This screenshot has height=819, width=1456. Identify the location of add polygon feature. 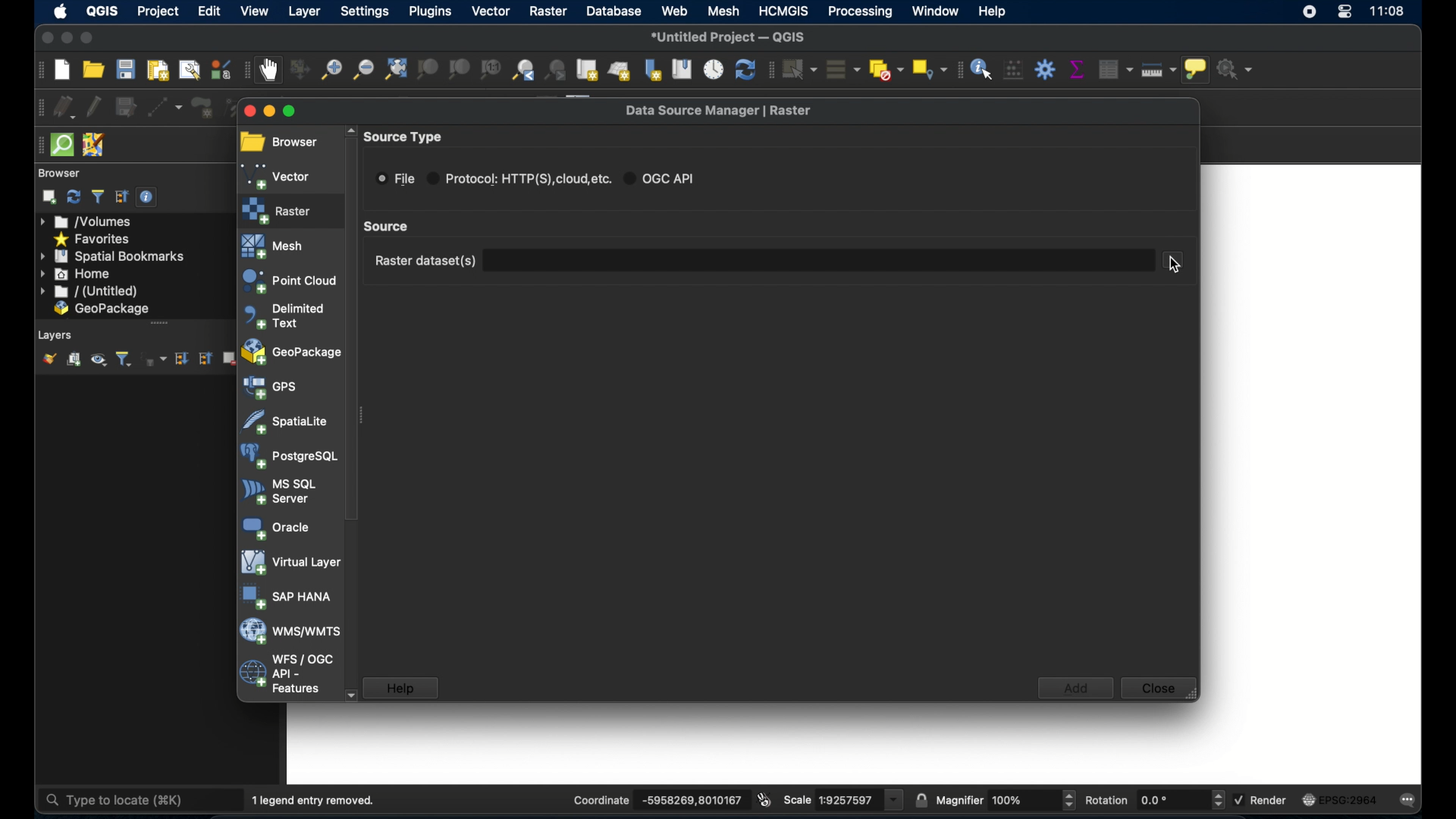
(202, 108).